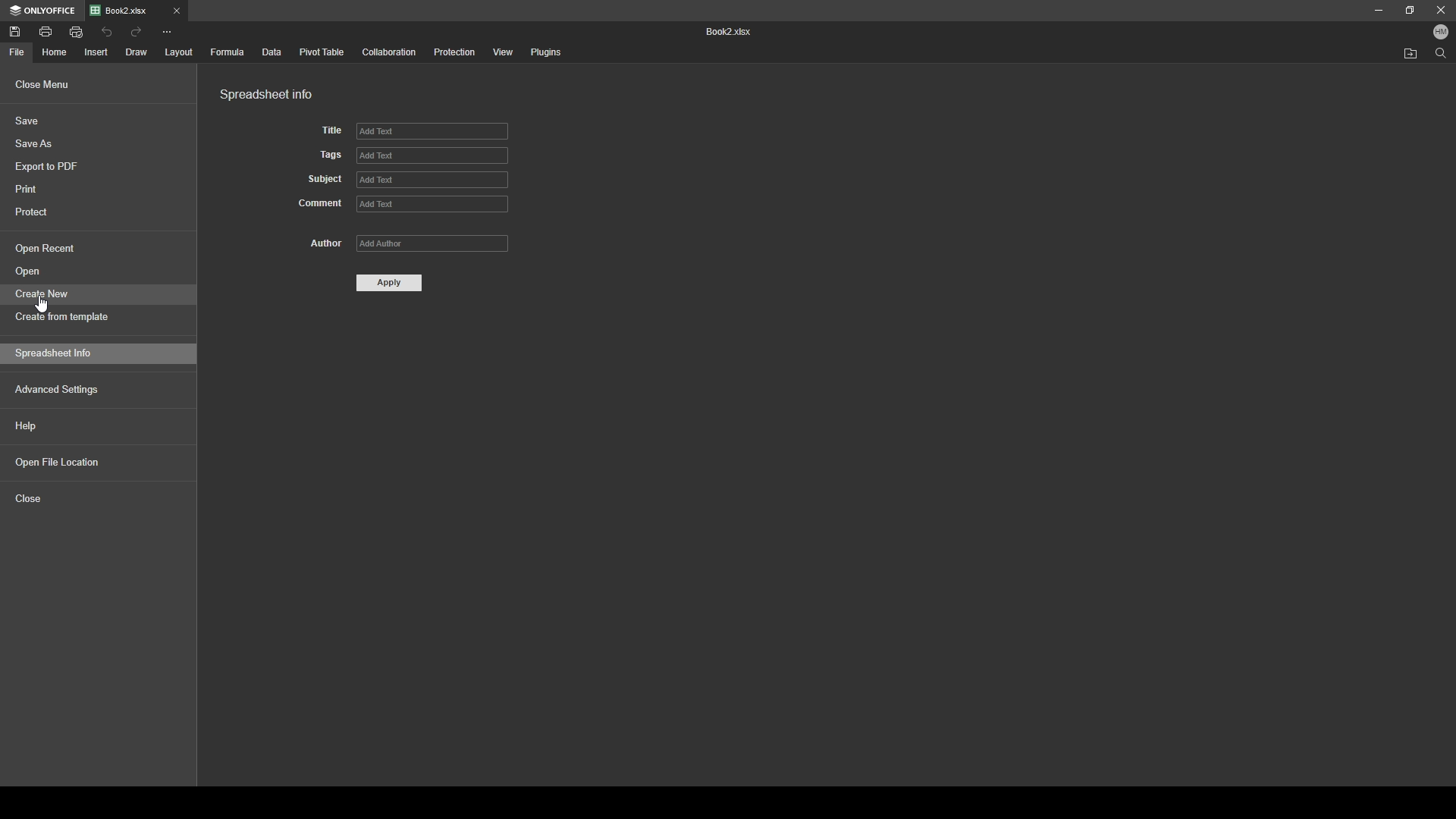 This screenshot has width=1456, height=819. Describe the element at coordinates (180, 52) in the screenshot. I see `layout` at that location.